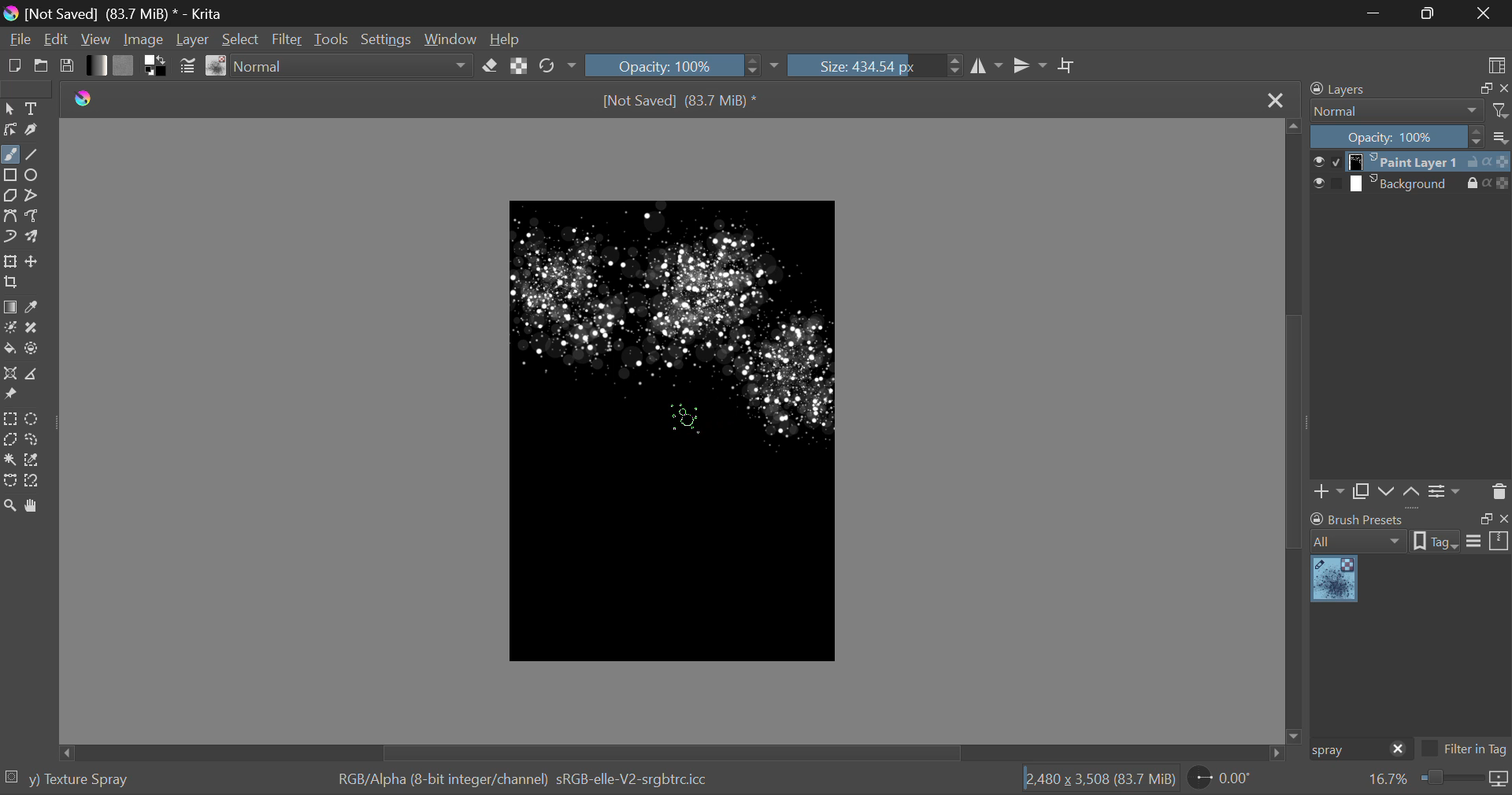  What do you see at coordinates (32, 156) in the screenshot?
I see `Line` at bounding box center [32, 156].